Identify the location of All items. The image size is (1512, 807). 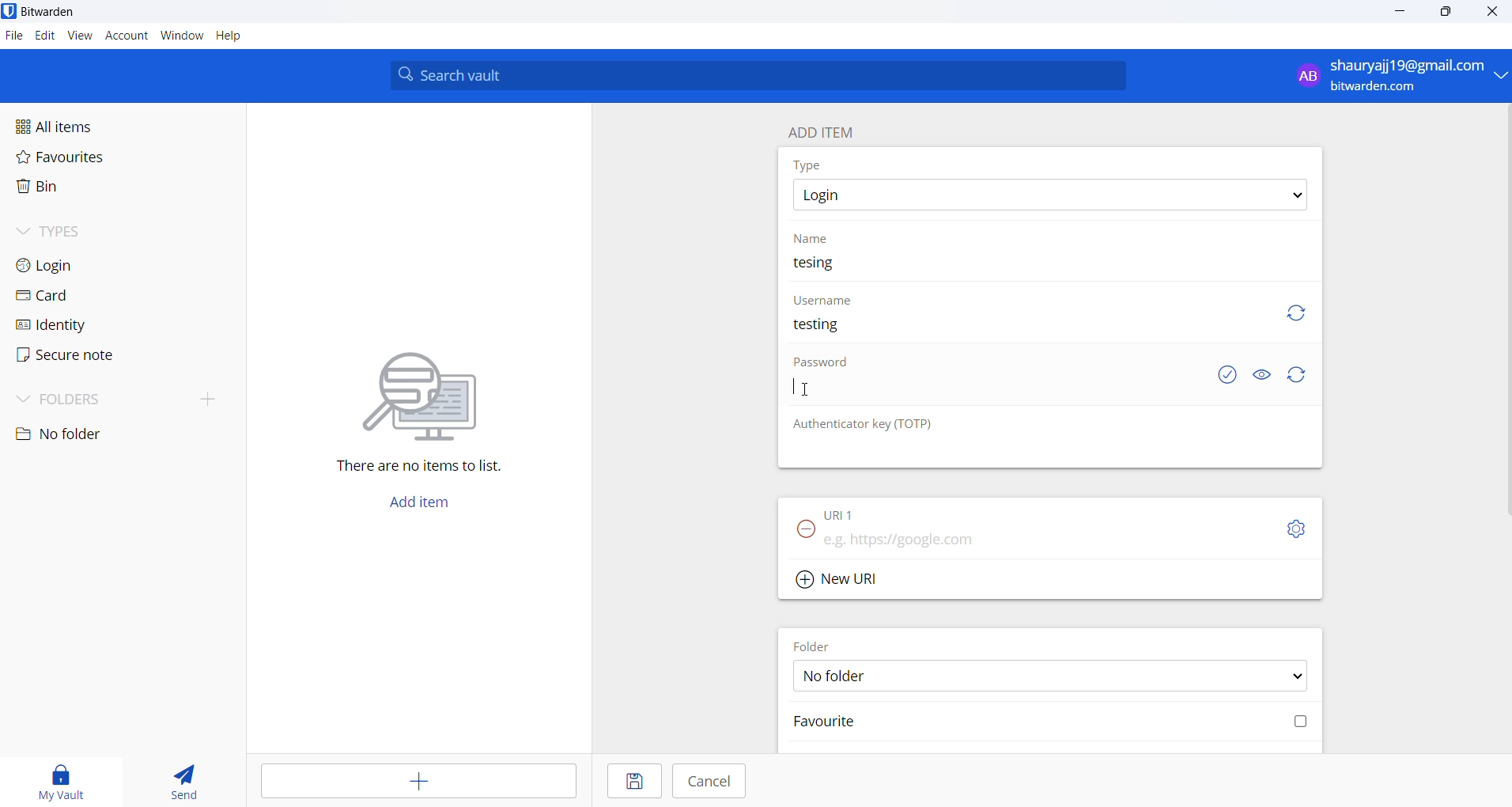
(90, 125).